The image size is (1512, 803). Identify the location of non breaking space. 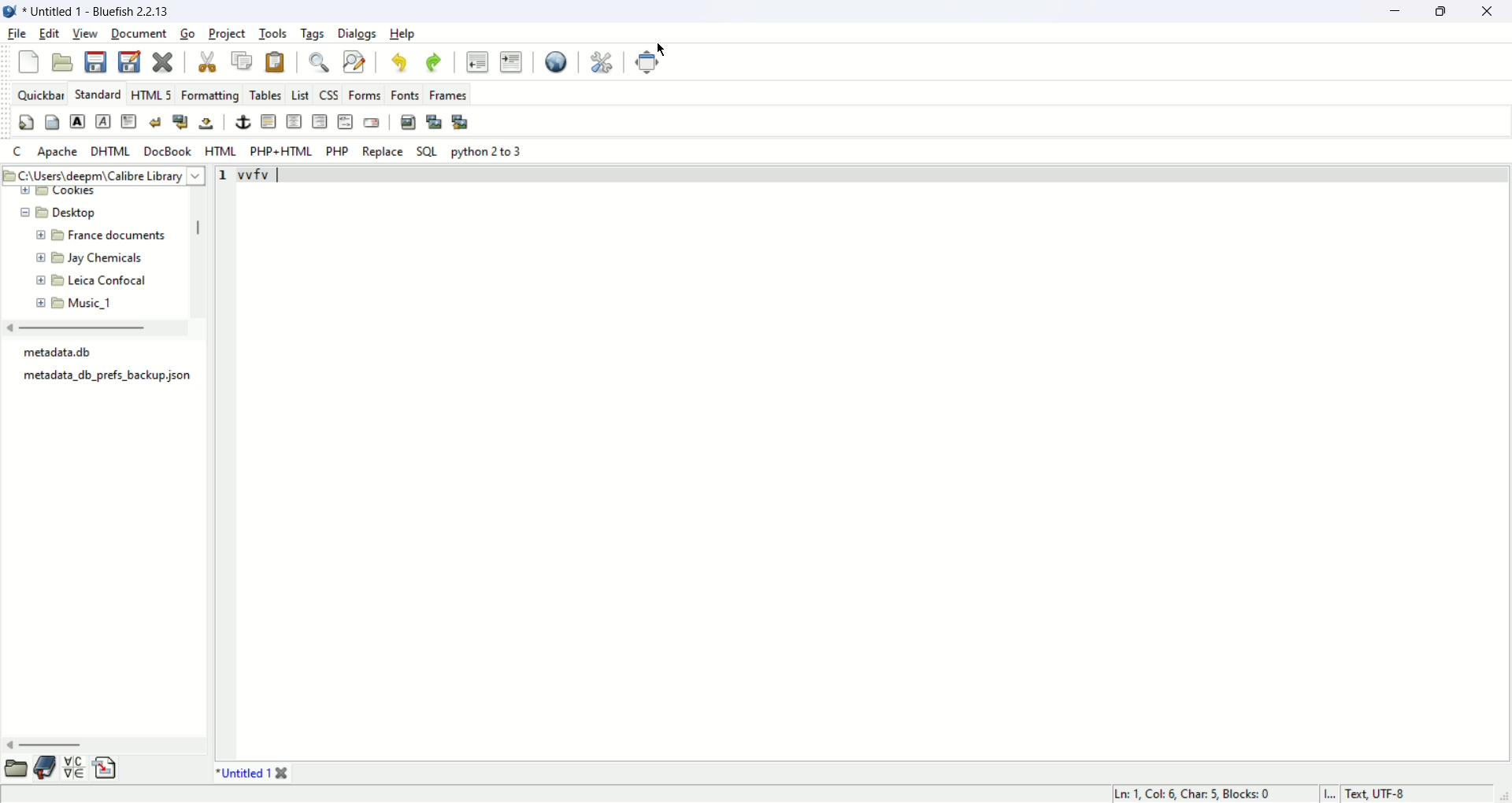
(208, 124).